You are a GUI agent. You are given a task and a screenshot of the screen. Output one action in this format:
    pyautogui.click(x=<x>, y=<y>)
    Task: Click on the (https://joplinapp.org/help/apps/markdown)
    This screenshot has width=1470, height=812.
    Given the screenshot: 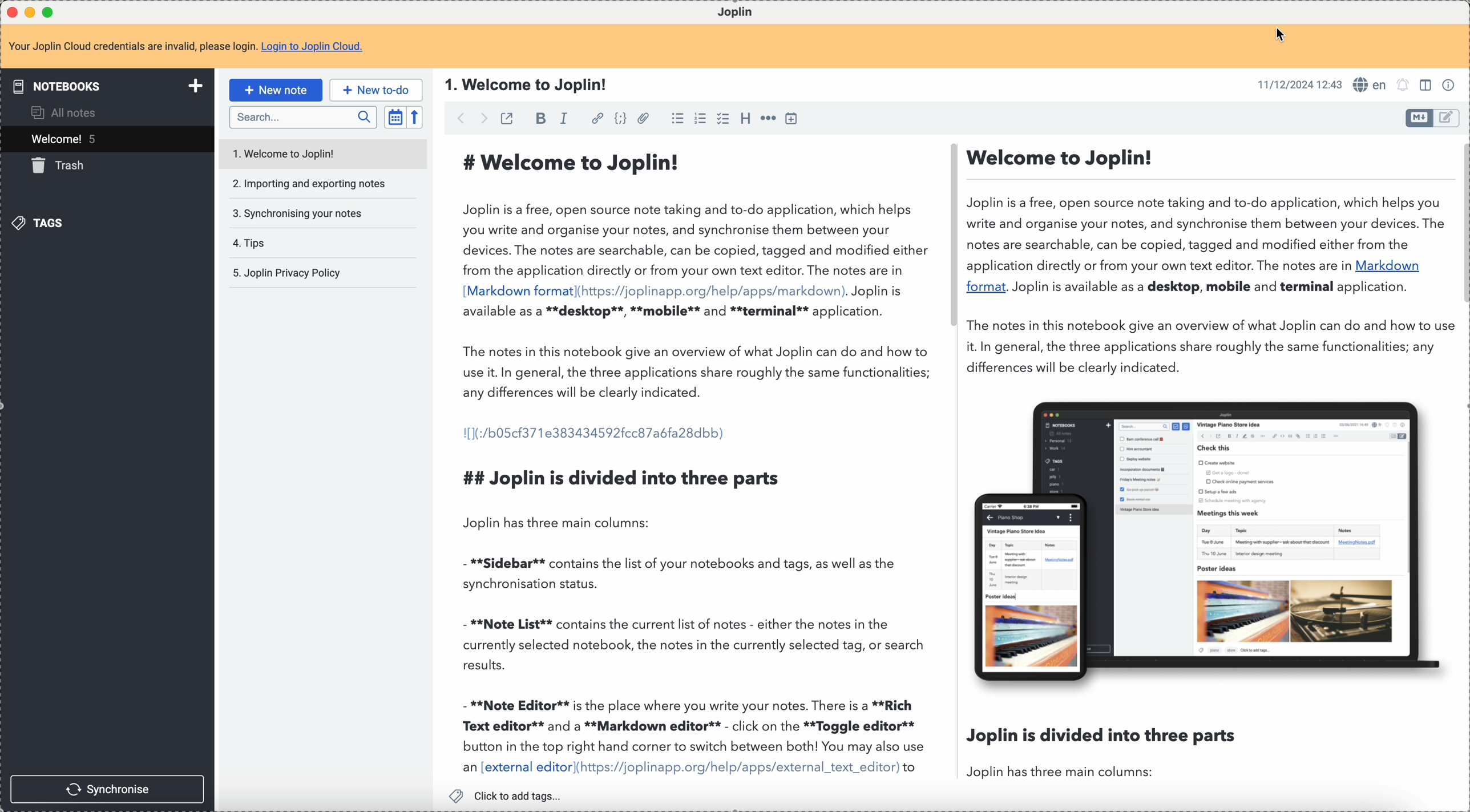 What is the action you would take?
    pyautogui.click(x=712, y=291)
    